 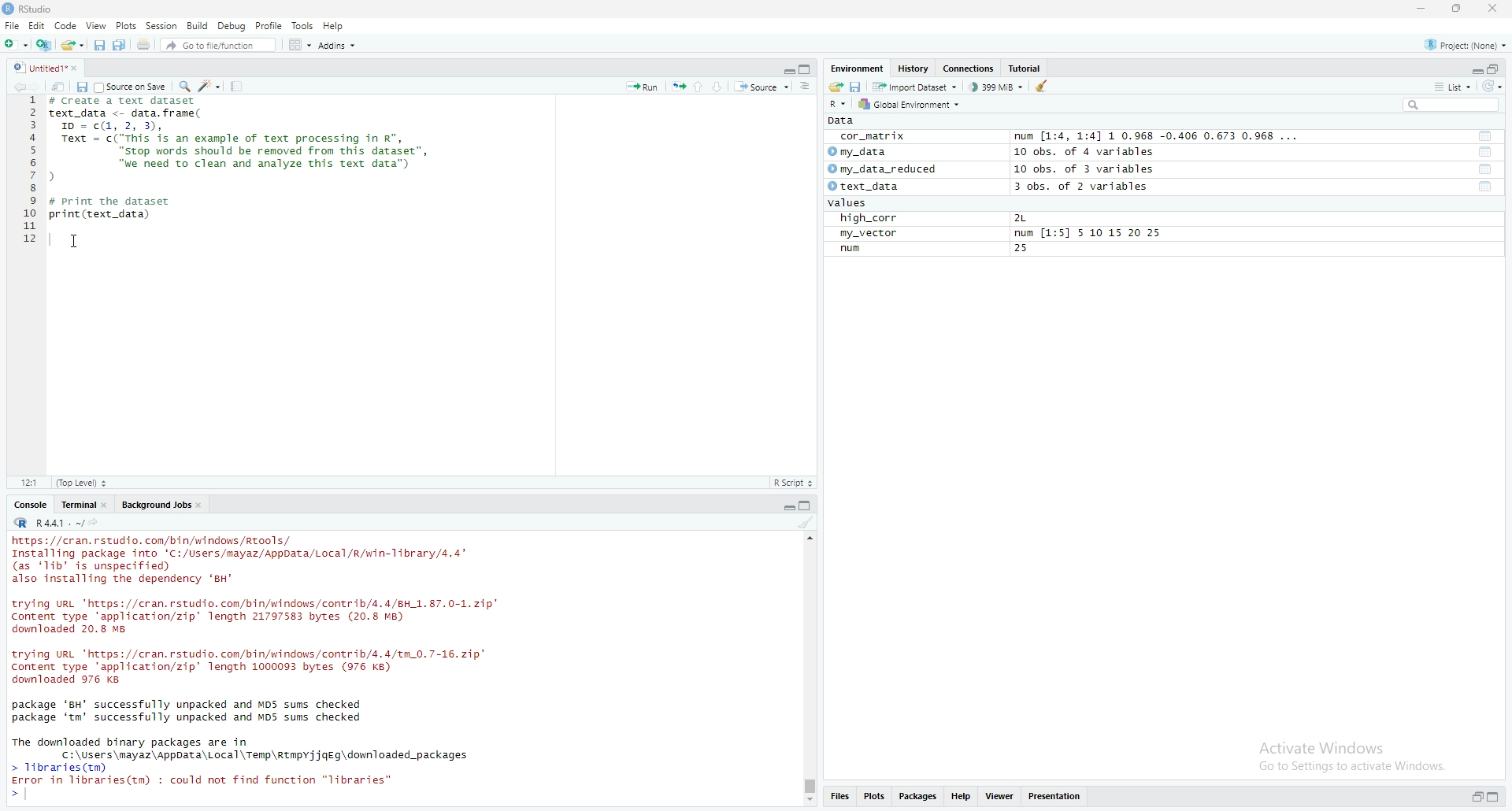 What do you see at coordinates (999, 89) in the screenshot?
I see `399MB` at bounding box center [999, 89].